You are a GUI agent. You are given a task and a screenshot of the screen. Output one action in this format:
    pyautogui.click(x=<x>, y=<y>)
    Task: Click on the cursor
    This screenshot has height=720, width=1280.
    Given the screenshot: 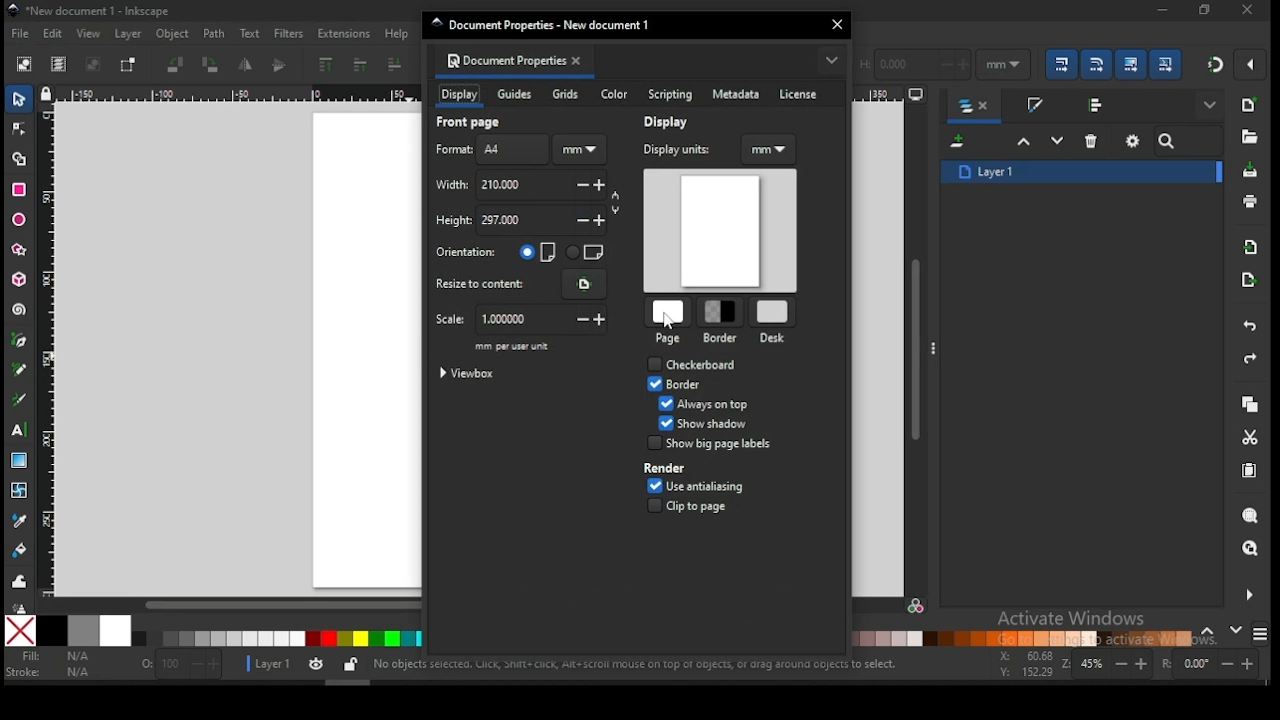 What is the action you would take?
    pyautogui.click(x=668, y=320)
    